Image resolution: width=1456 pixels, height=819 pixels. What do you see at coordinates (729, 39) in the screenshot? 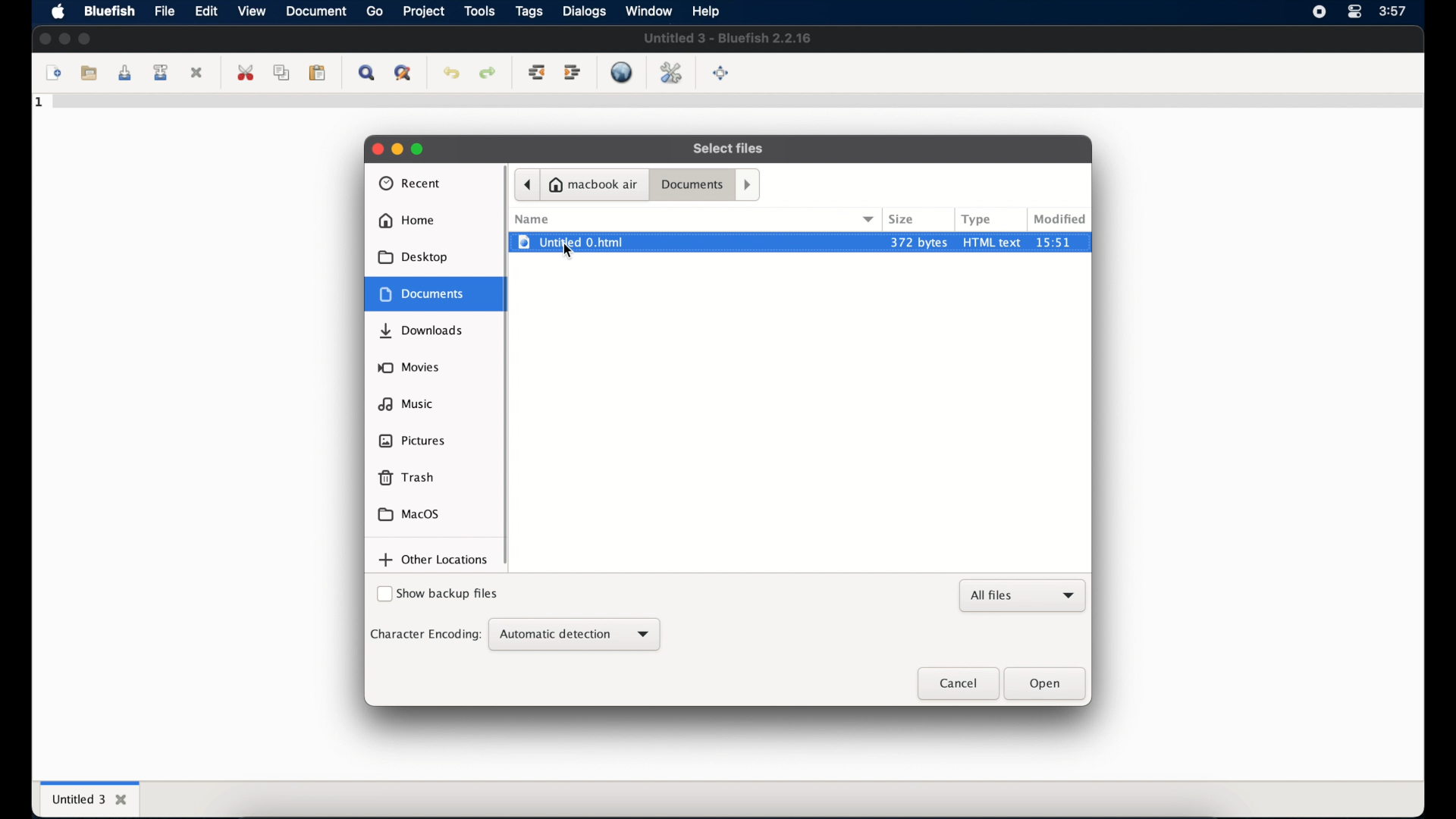
I see `Untitied 3 - Bluefish 2.2.16` at bounding box center [729, 39].